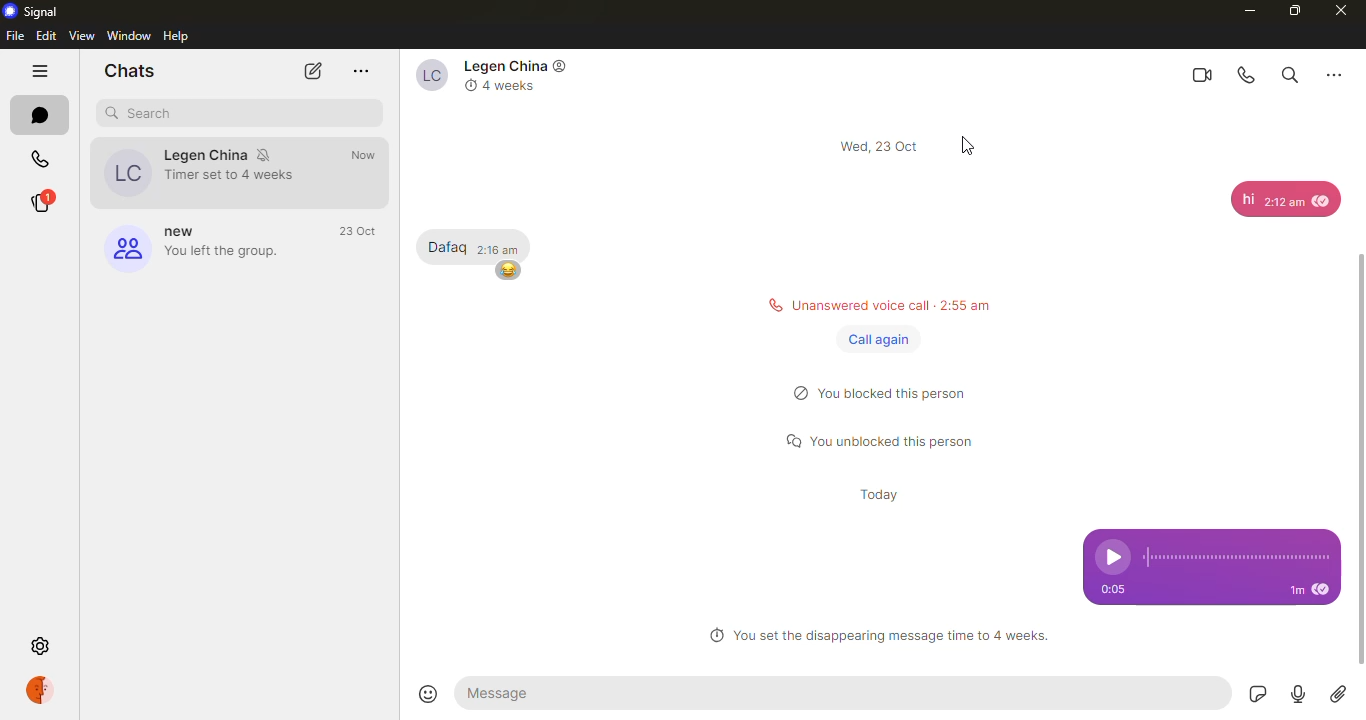  What do you see at coordinates (1298, 695) in the screenshot?
I see `record` at bounding box center [1298, 695].